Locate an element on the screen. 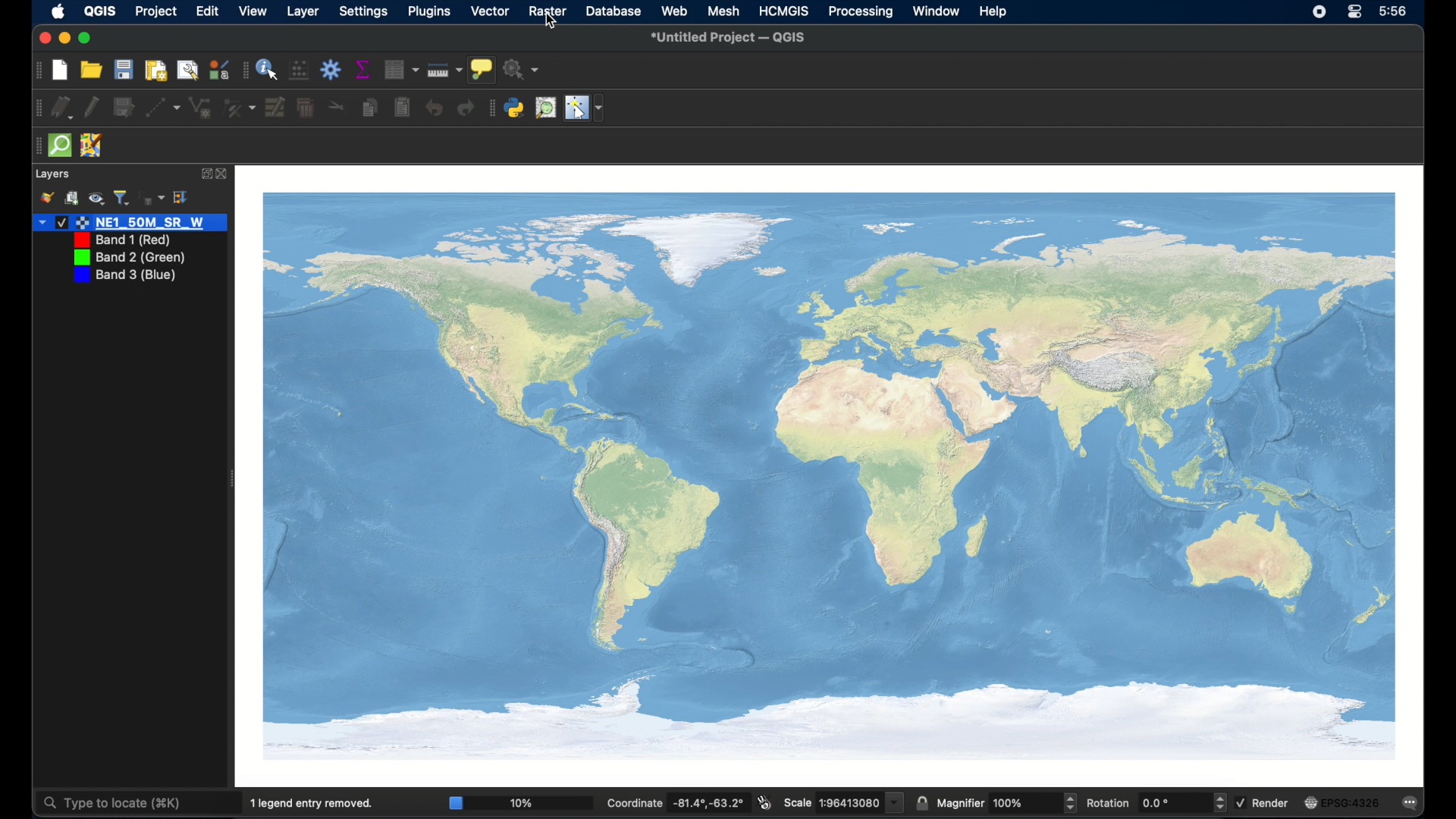  Increase/Decrease arrows is located at coordinates (1076, 805).